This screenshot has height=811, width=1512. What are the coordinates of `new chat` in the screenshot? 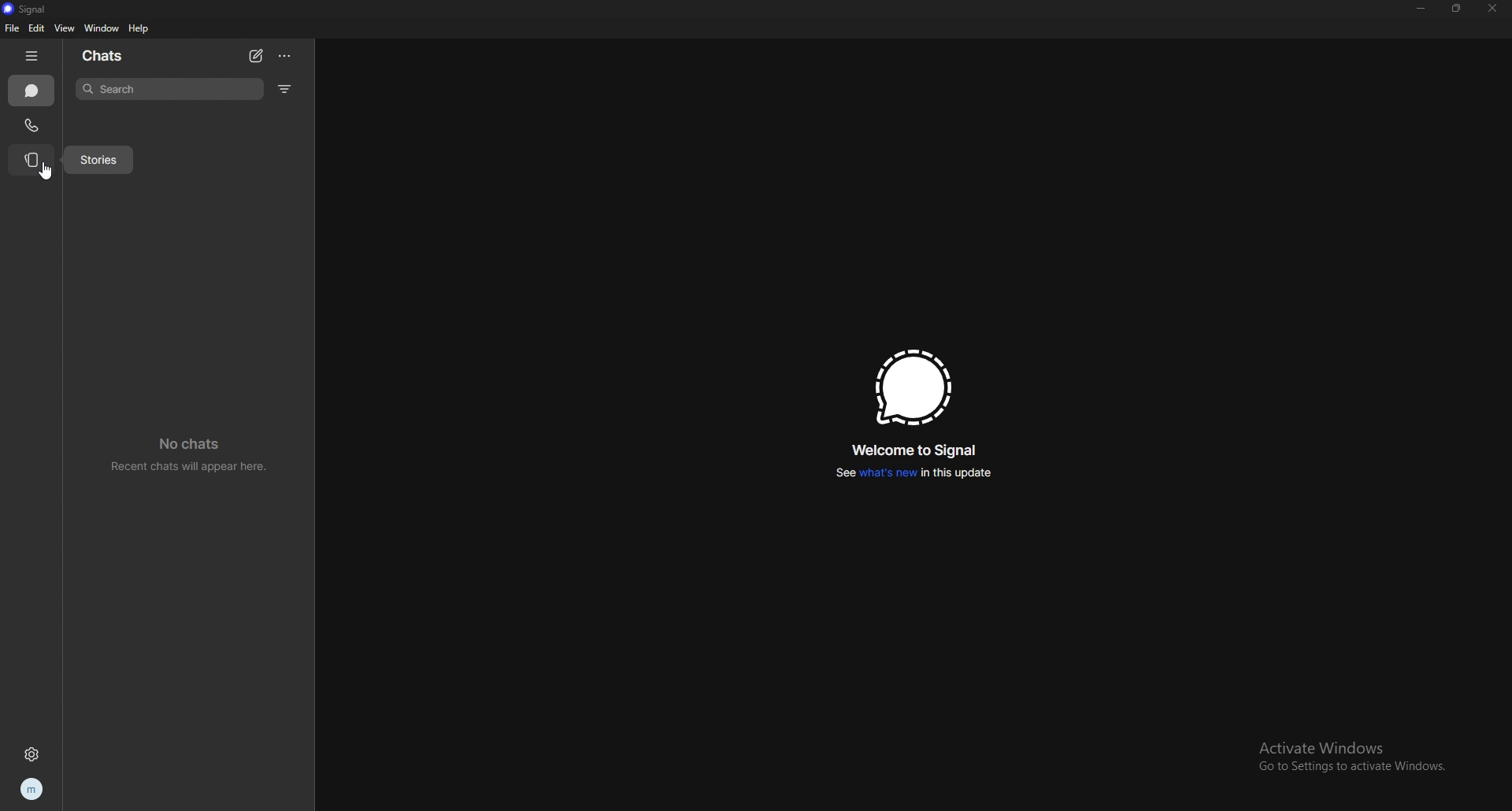 It's located at (258, 55).